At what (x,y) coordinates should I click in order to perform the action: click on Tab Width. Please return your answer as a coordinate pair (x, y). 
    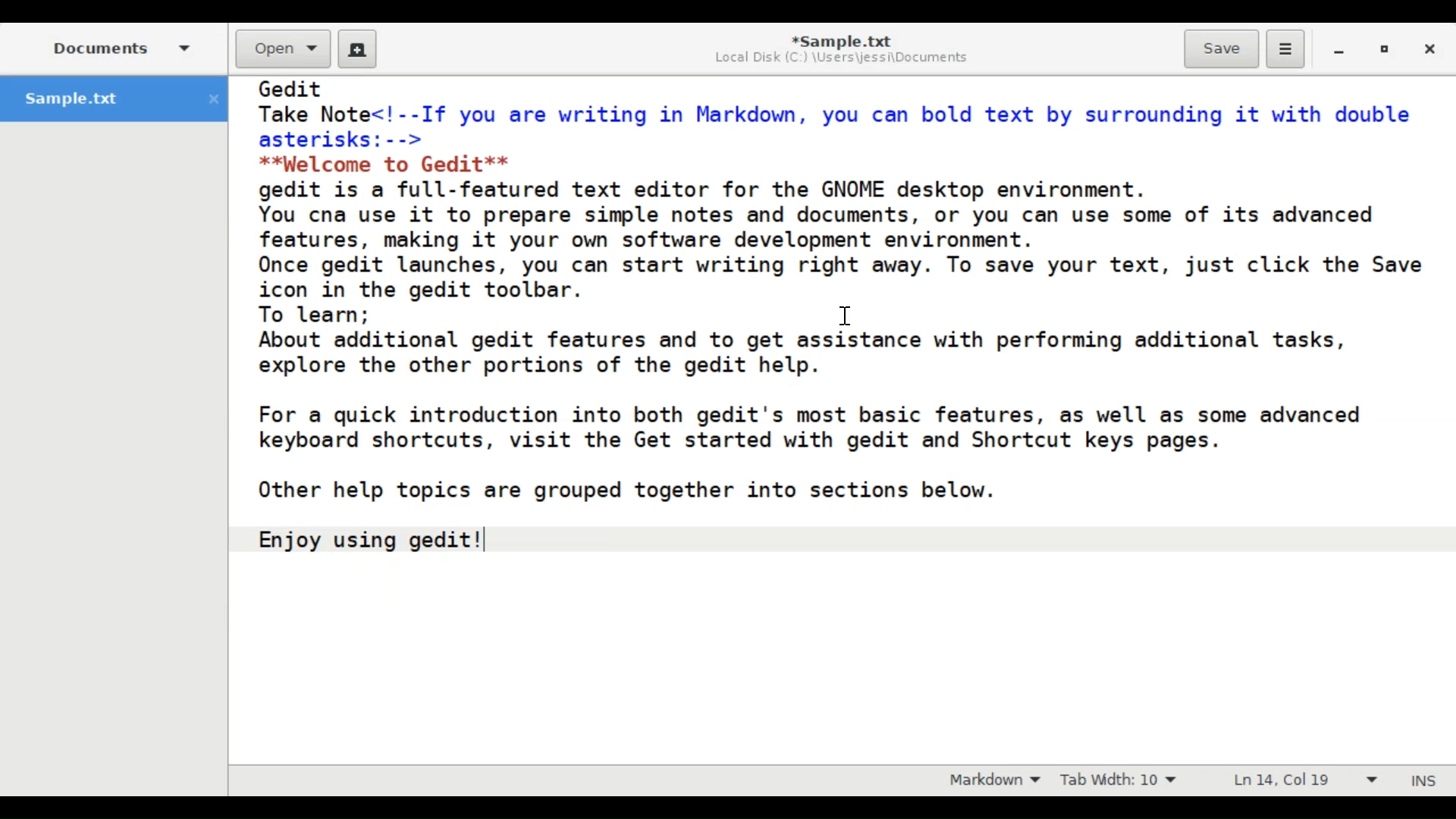
    Looking at the image, I should click on (1123, 780).